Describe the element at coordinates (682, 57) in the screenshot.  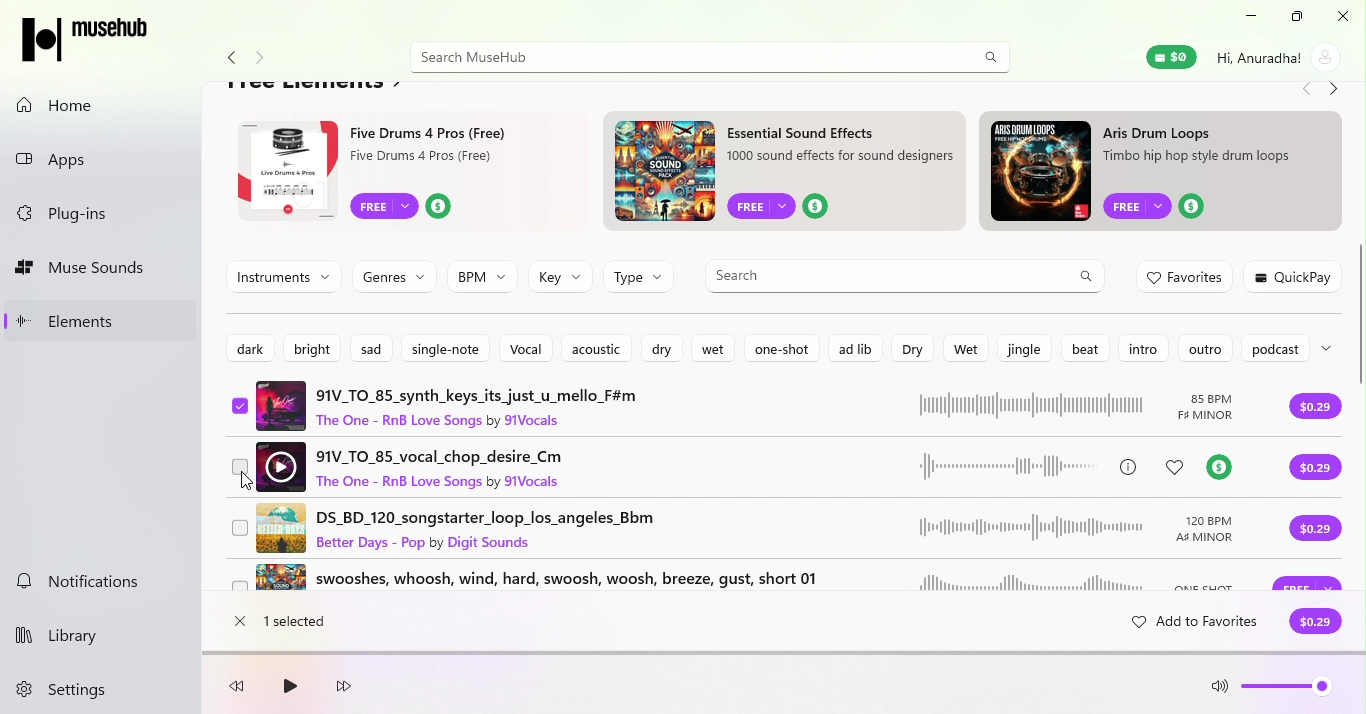
I see `Search bar` at that location.